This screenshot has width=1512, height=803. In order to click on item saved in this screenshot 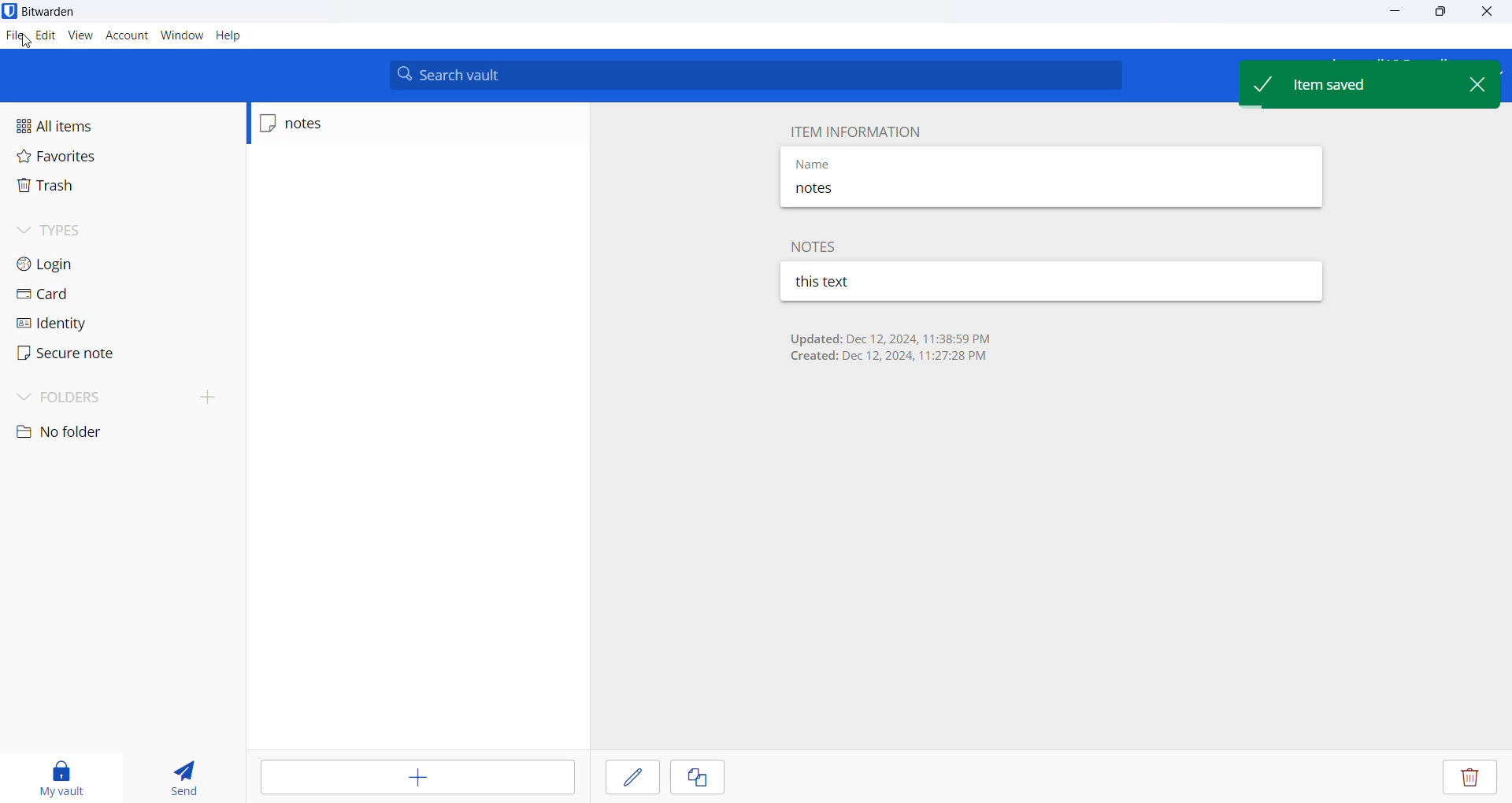, I will do `click(1347, 82)`.